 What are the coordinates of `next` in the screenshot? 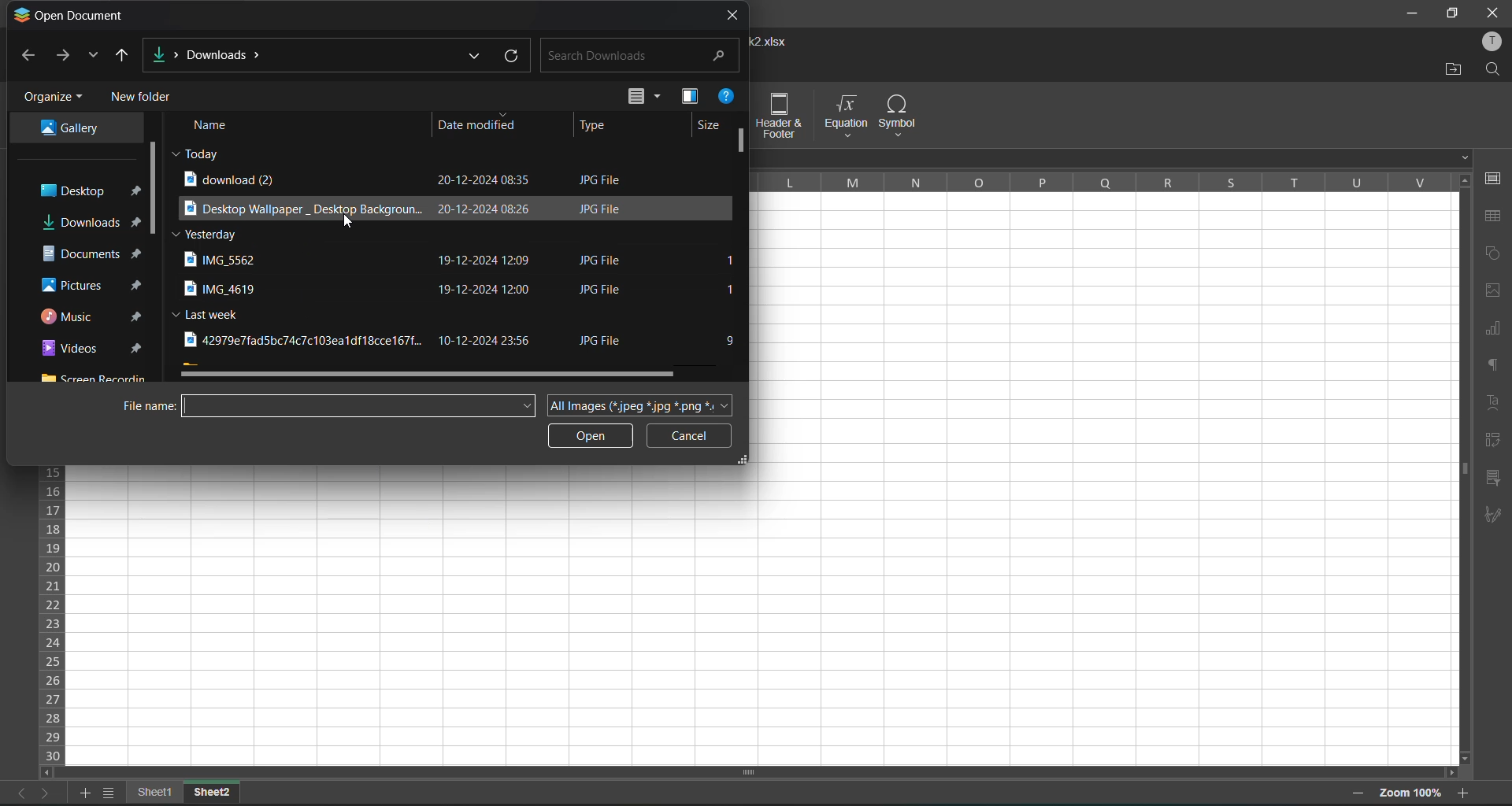 It's located at (48, 792).